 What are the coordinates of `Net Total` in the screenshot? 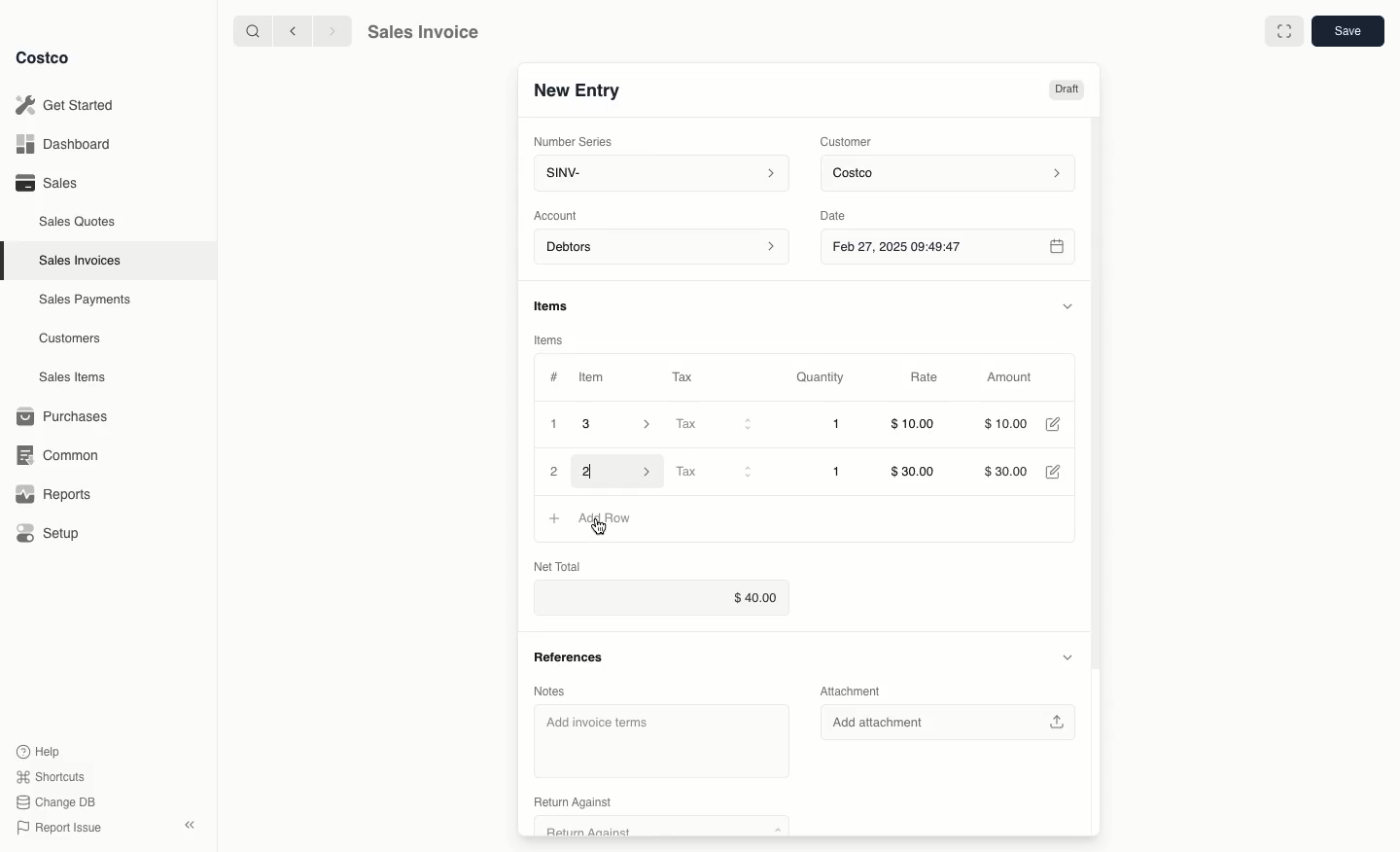 It's located at (558, 565).